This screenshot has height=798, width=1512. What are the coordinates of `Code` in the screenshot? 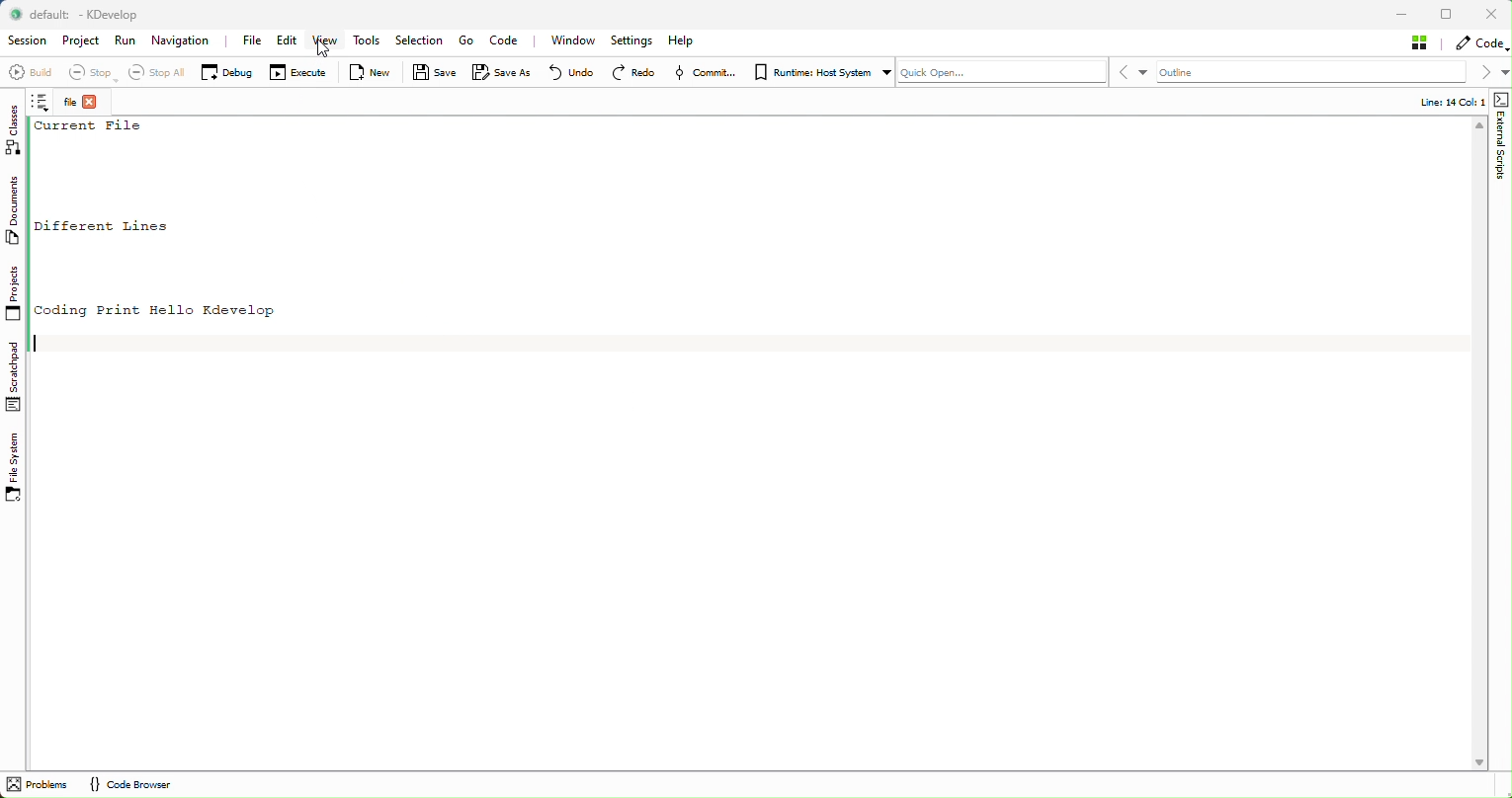 It's located at (1479, 42).